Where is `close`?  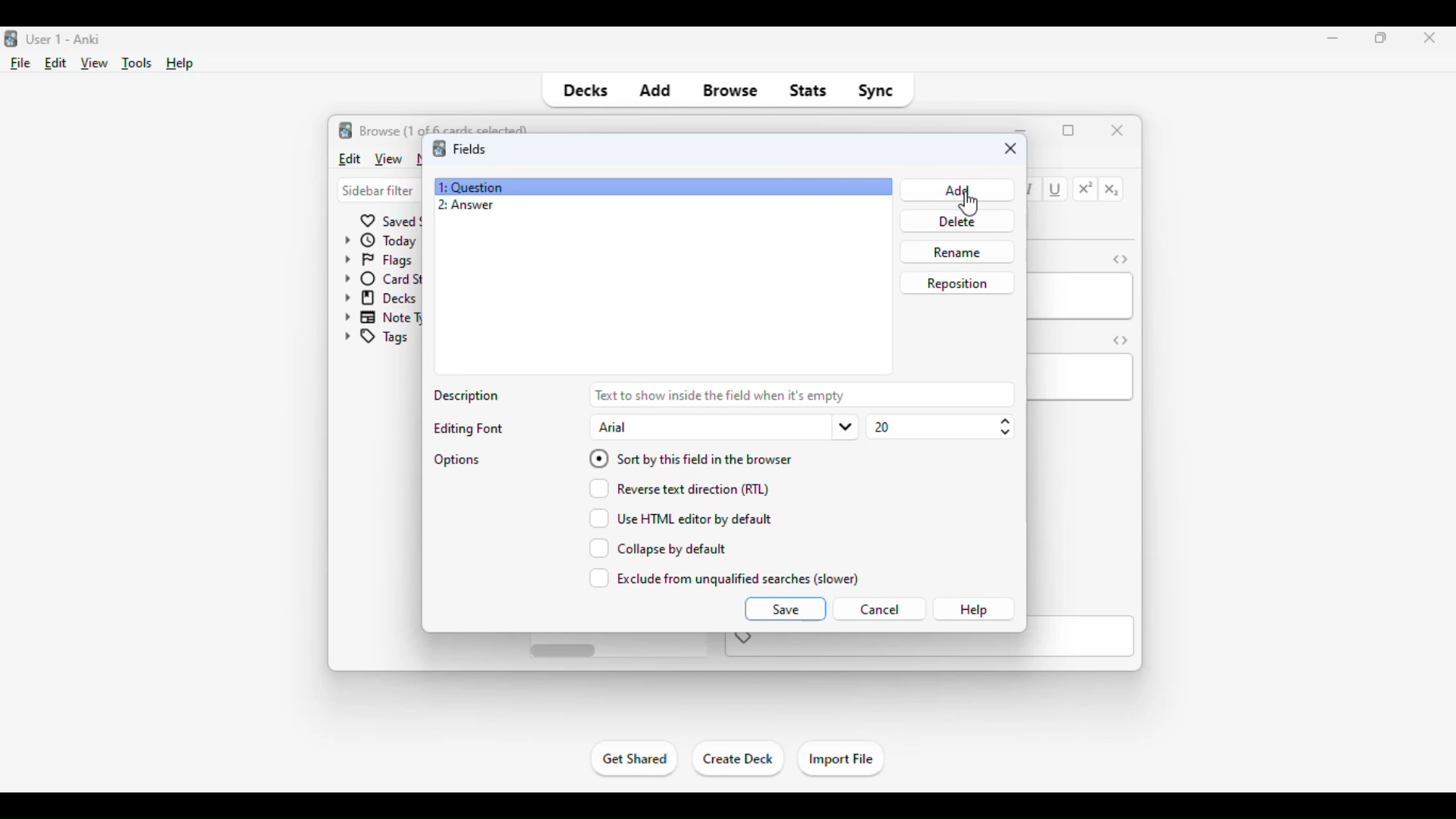
close is located at coordinates (1118, 129).